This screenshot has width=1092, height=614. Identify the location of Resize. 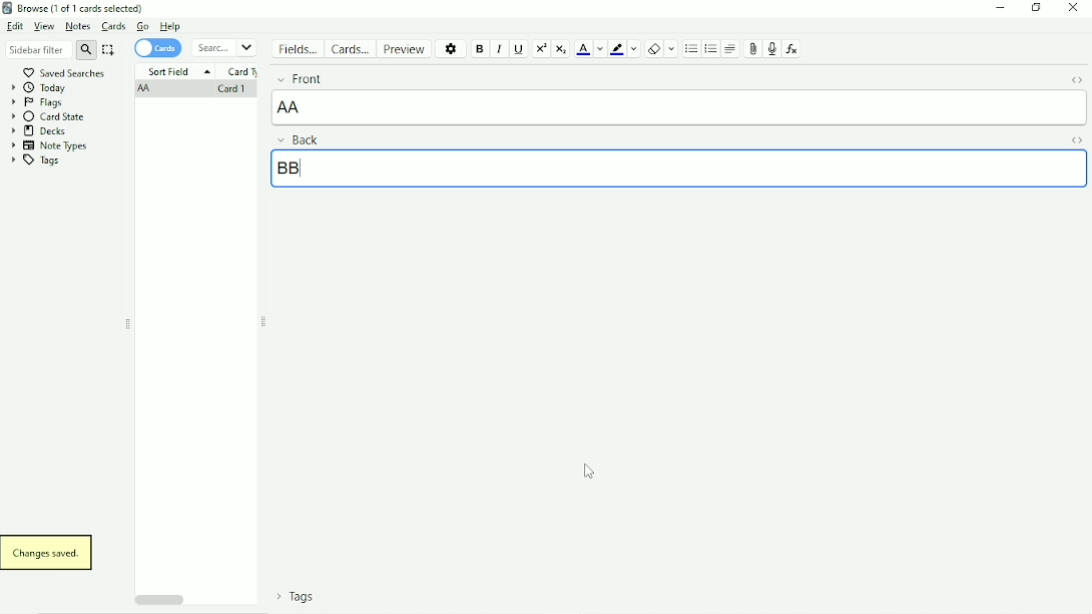
(128, 324).